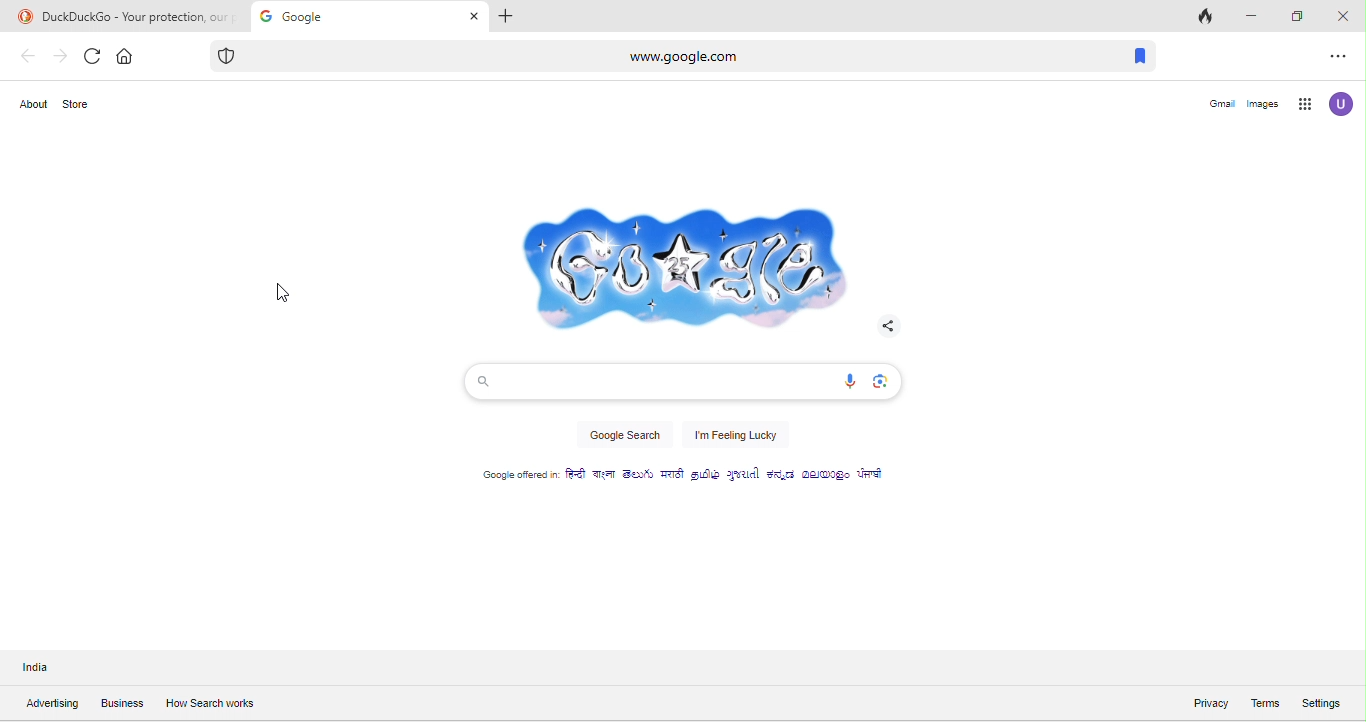  What do you see at coordinates (606, 55) in the screenshot?
I see `www.google.com` at bounding box center [606, 55].